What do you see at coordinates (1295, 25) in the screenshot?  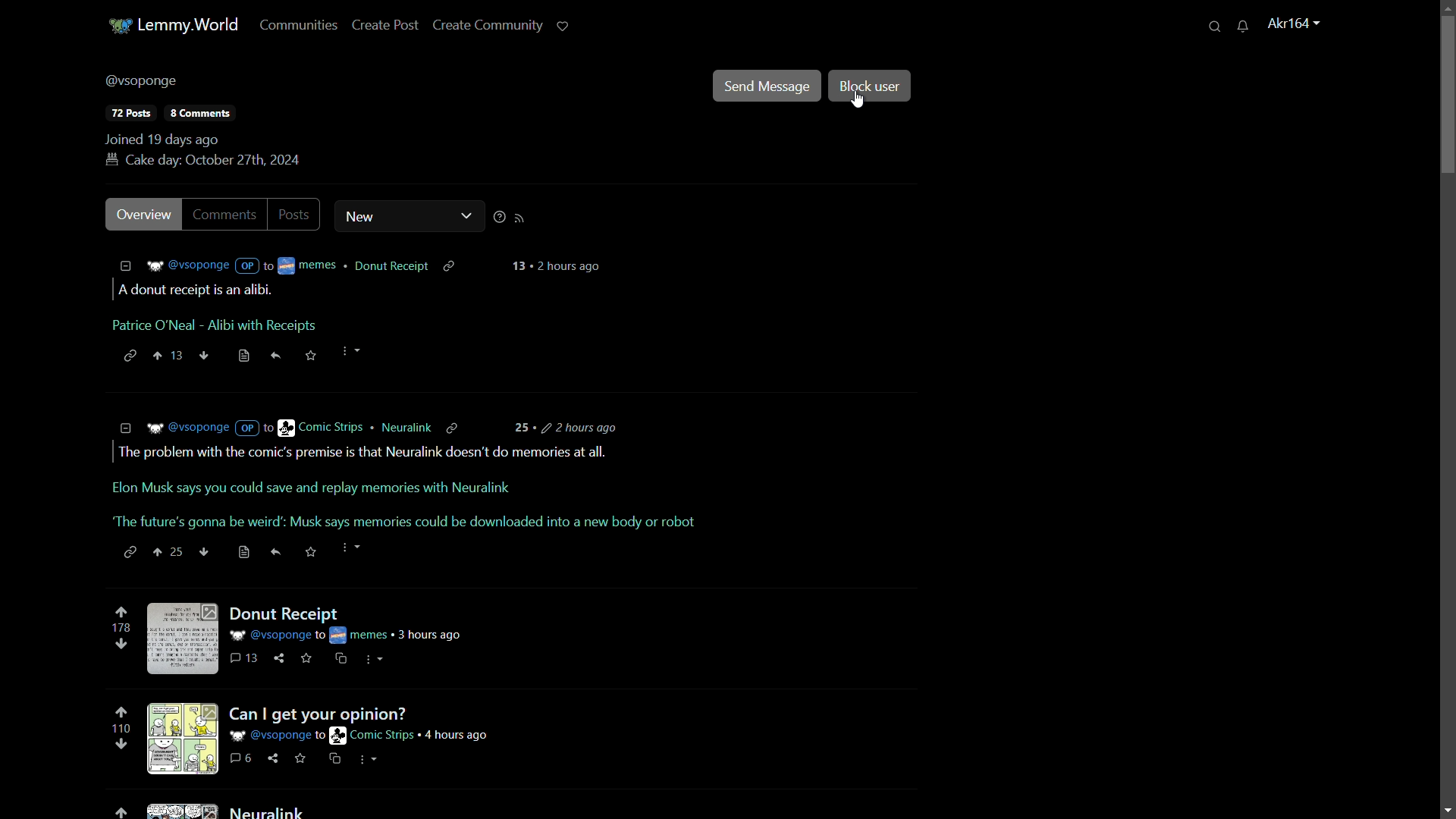 I see `username` at bounding box center [1295, 25].